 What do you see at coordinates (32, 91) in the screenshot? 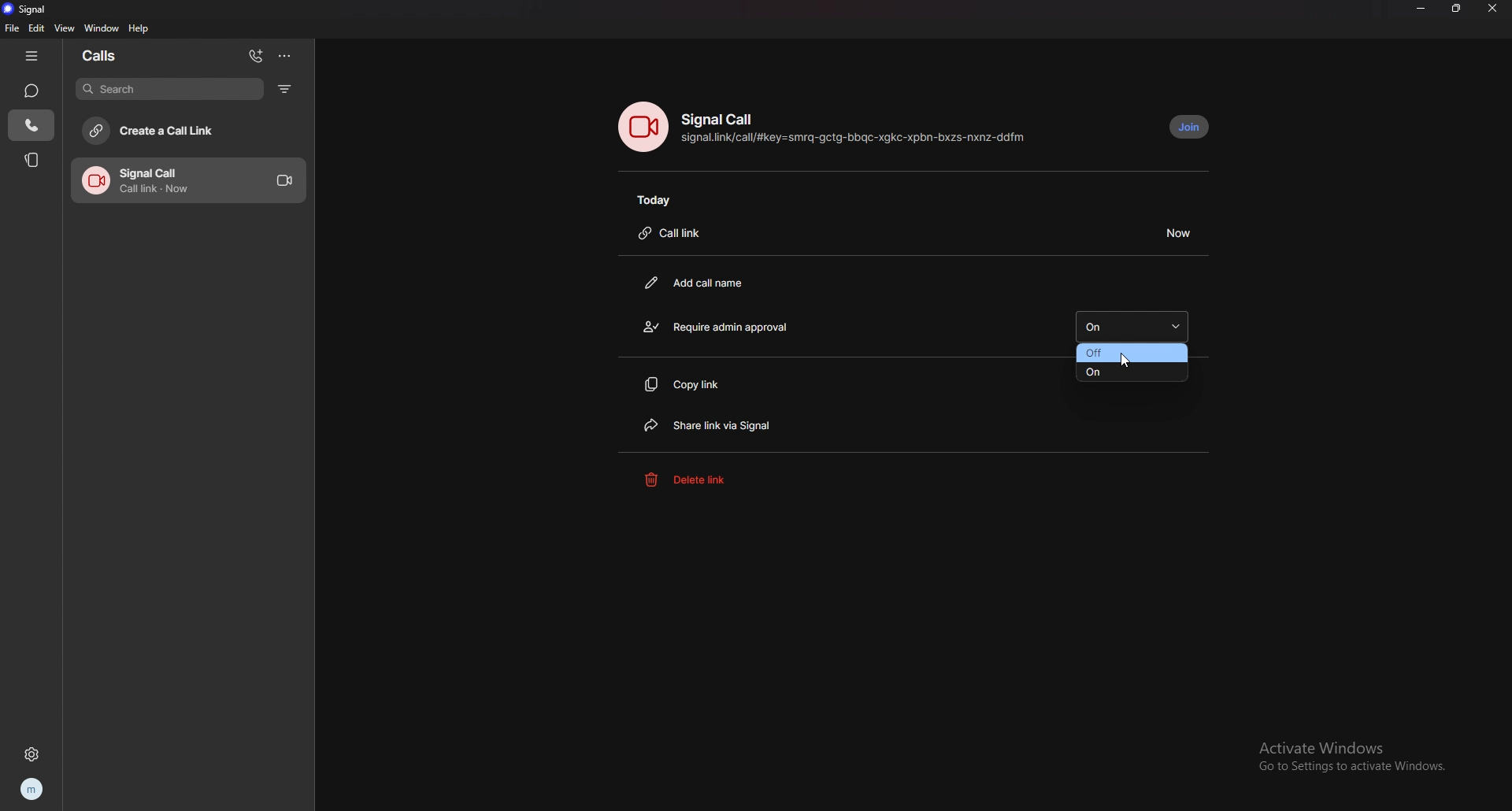
I see `chats` at bounding box center [32, 91].